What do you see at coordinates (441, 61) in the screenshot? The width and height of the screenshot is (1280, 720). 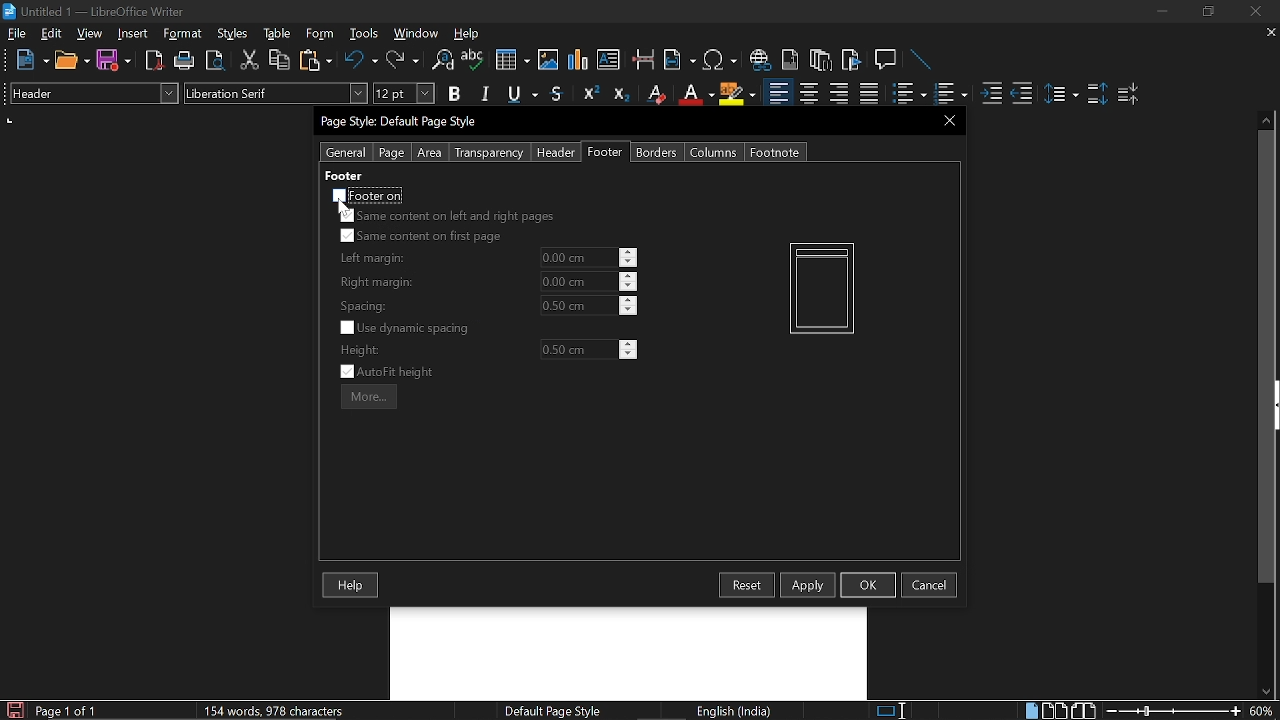 I see `Find and replace` at bounding box center [441, 61].